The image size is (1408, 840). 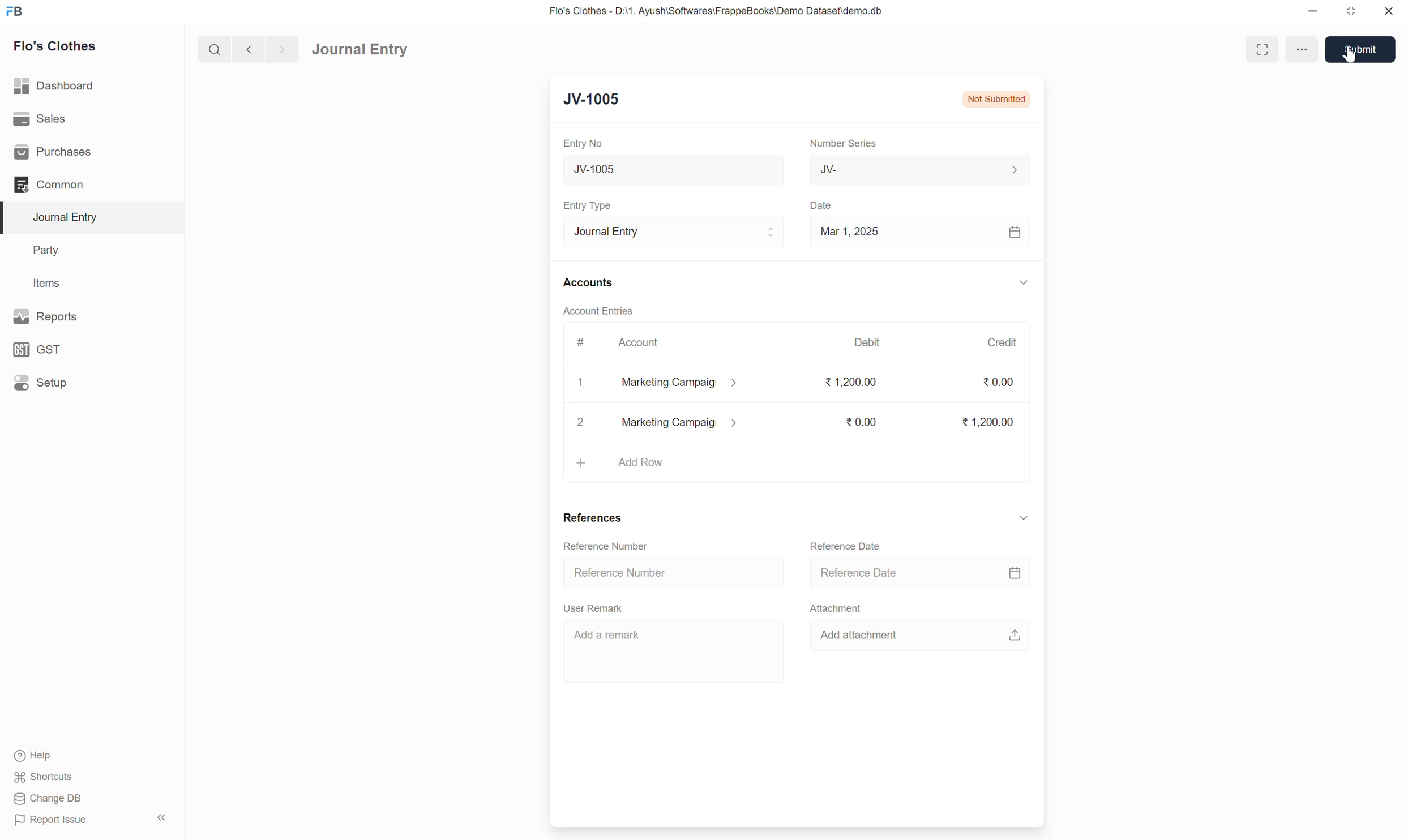 I want to click on calendar, so click(x=1016, y=233).